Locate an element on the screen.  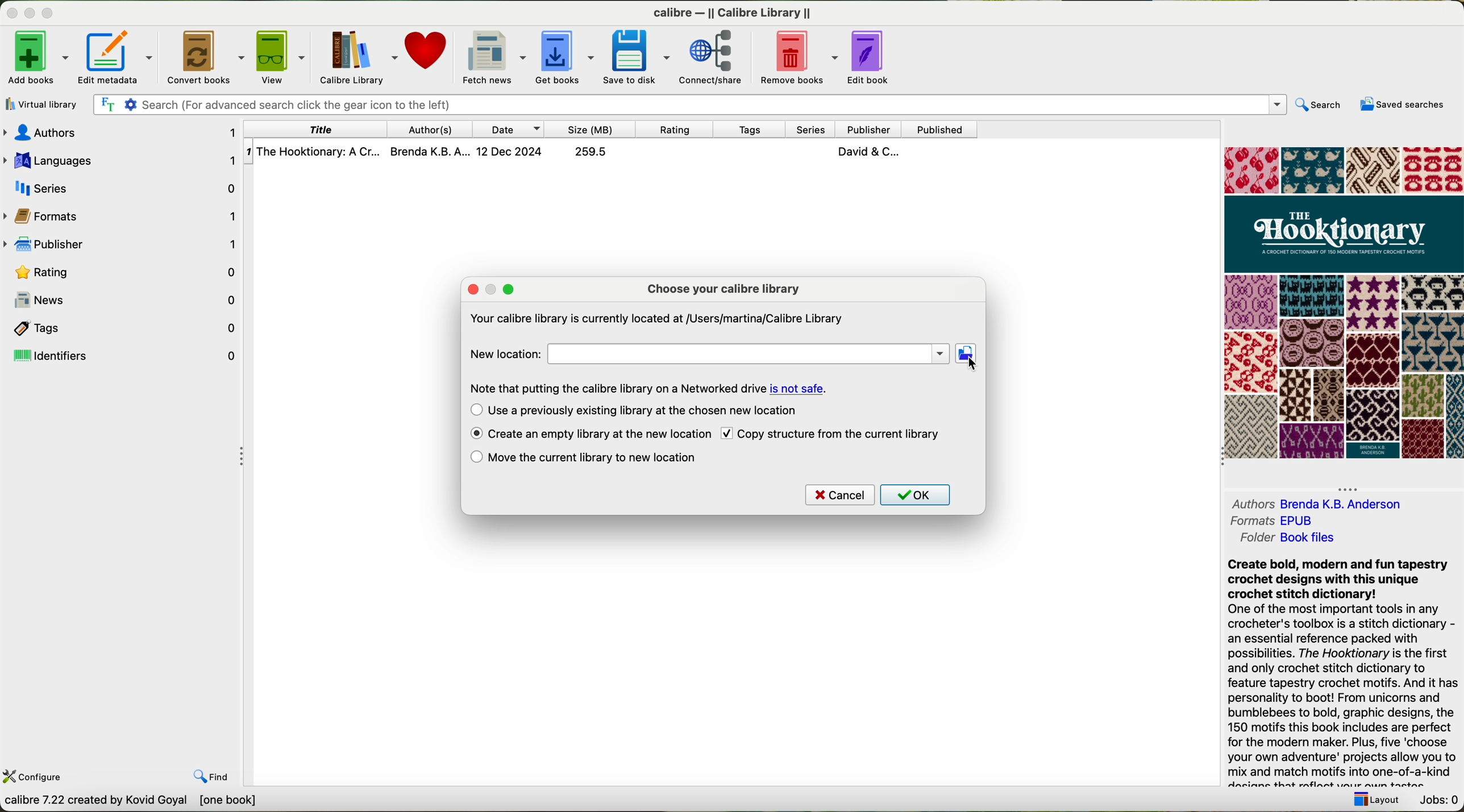
choose your calibre library is located at coordinates (722, 290).